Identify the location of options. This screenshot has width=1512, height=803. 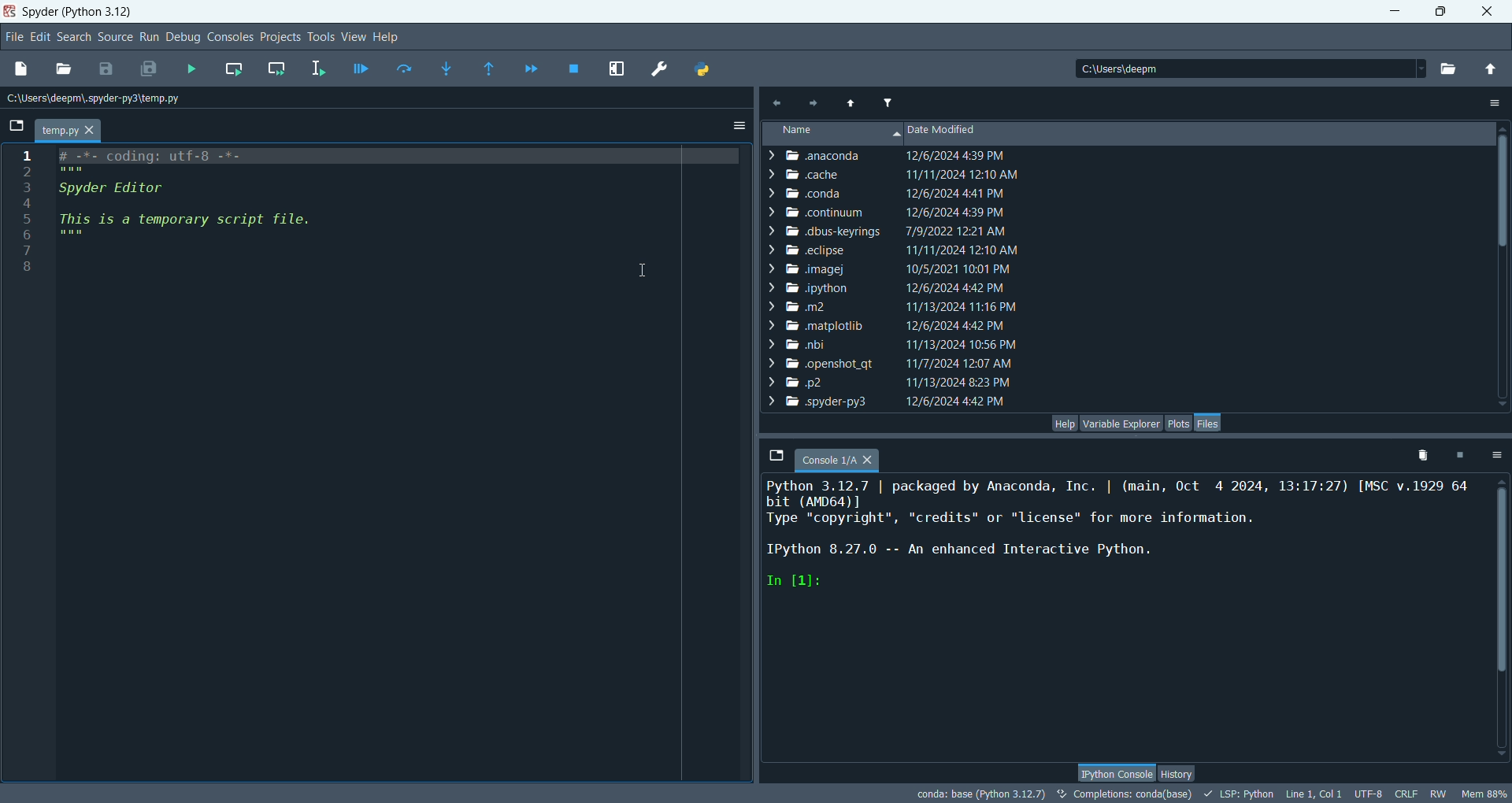
(1499, 453).